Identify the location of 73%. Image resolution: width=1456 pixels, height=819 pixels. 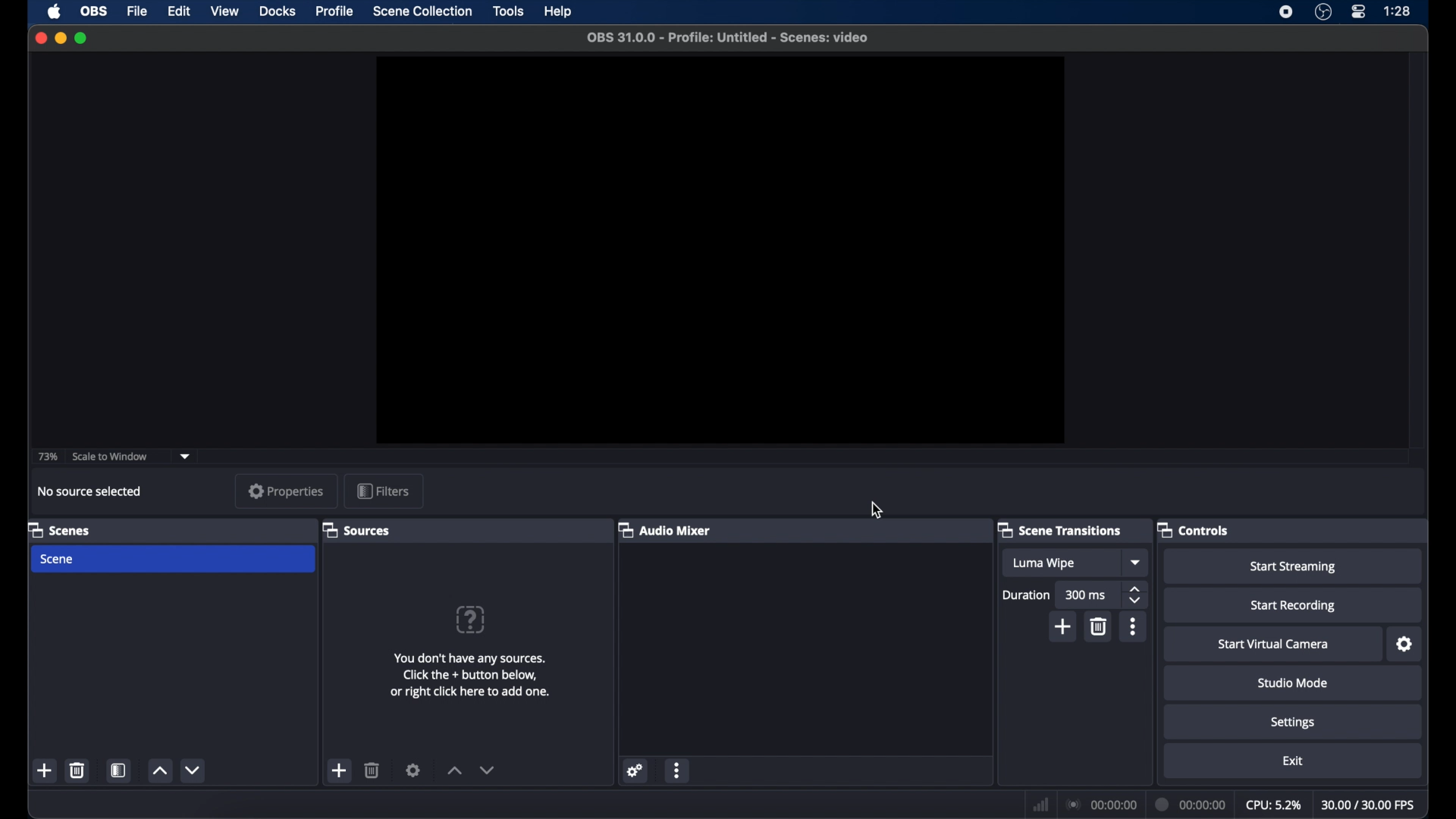
(49, 456).